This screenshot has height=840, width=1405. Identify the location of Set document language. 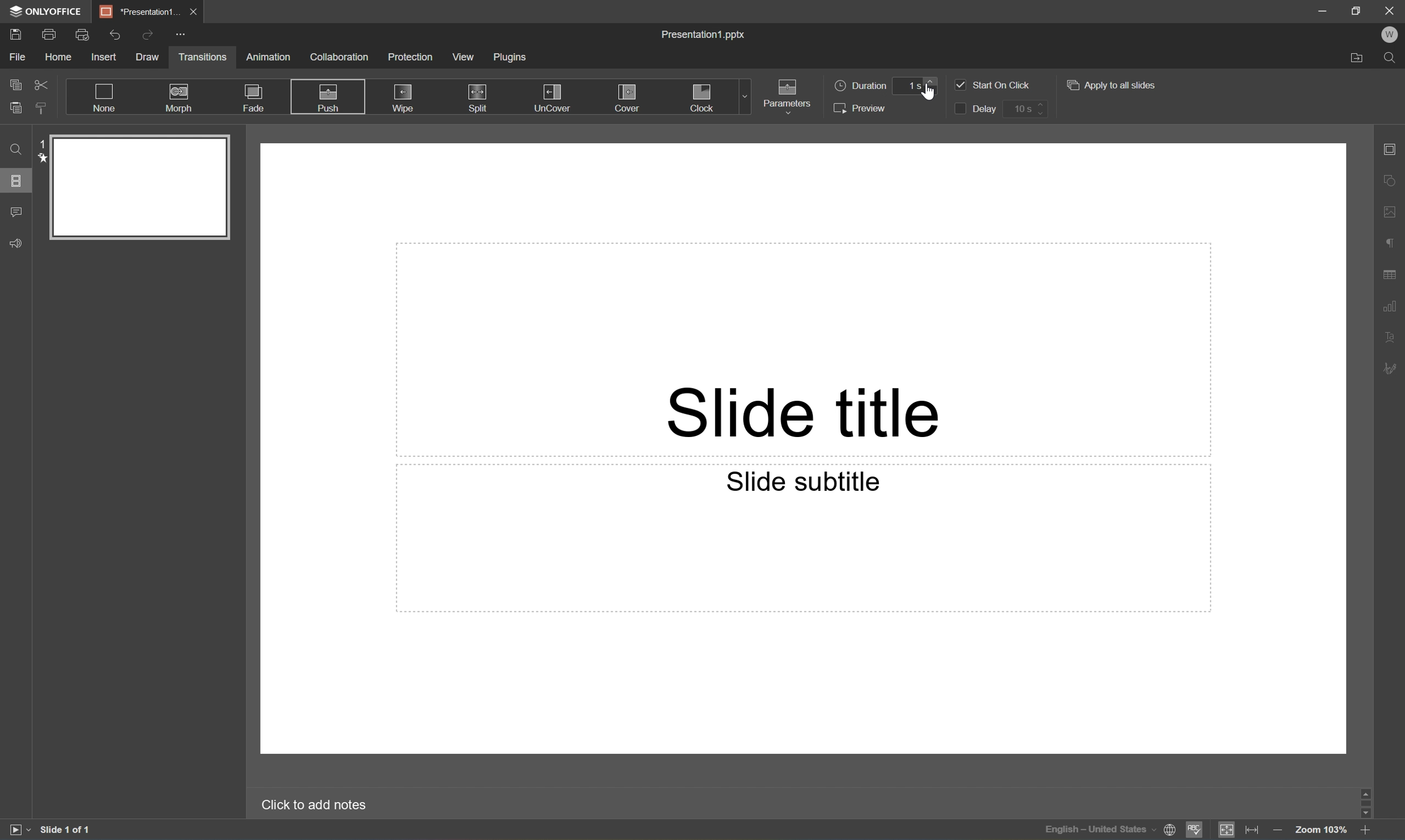
(1169, 832).